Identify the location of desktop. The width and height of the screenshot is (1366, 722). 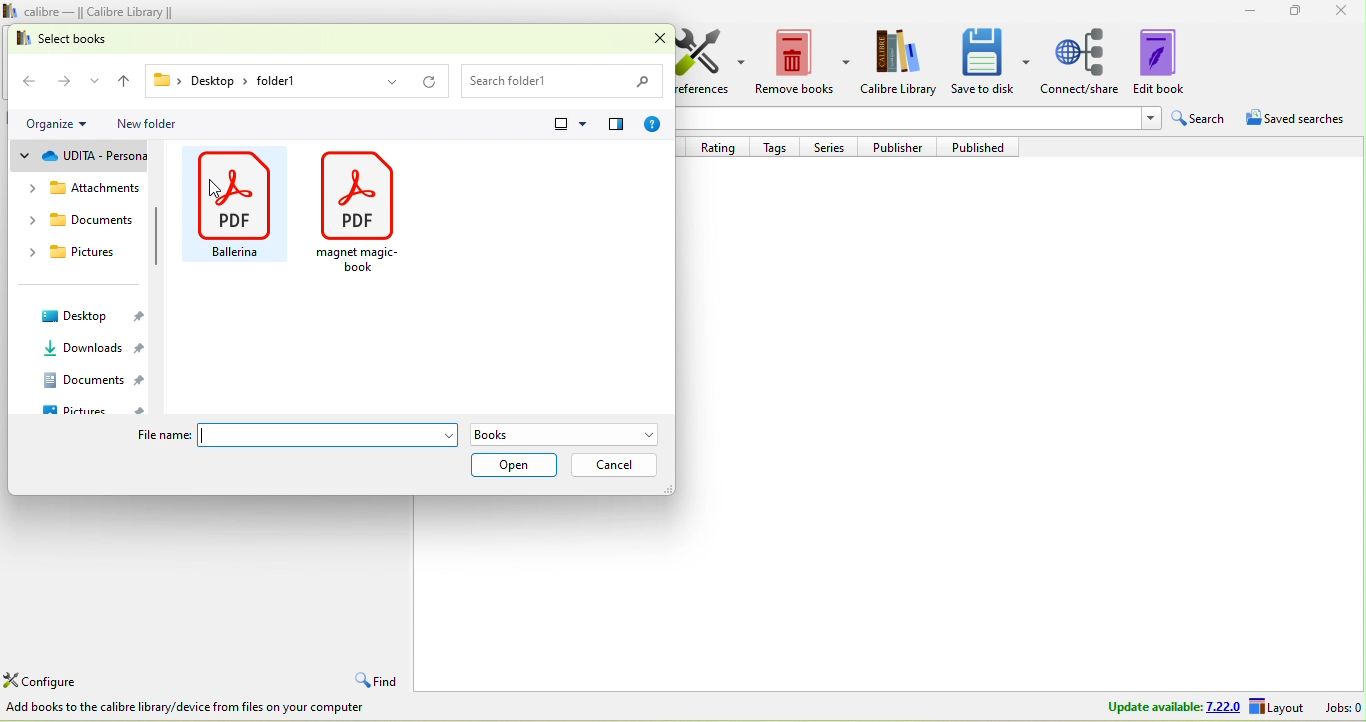
(199, 81).